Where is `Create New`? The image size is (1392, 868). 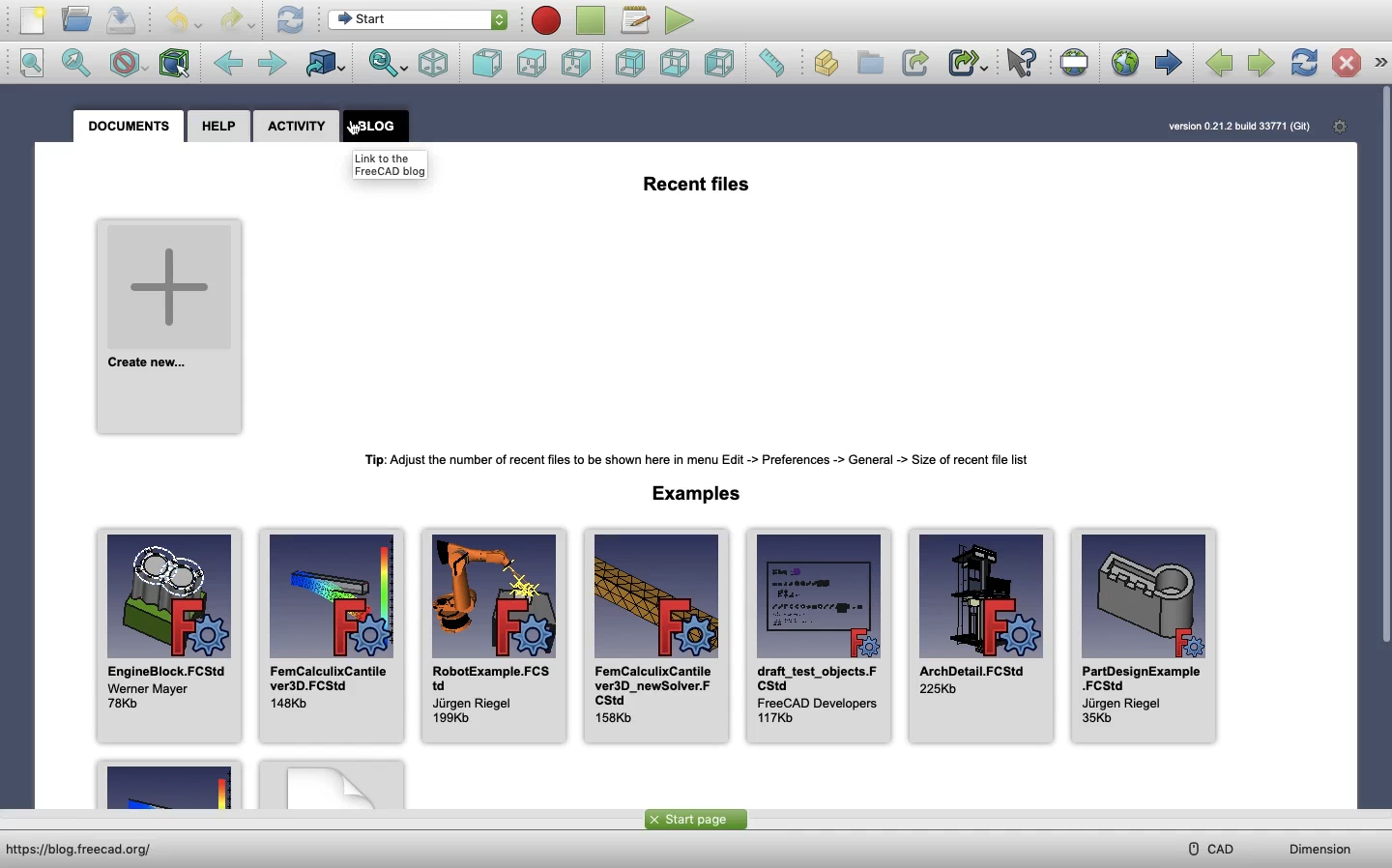
Create New is located at coordinates (170, 328).